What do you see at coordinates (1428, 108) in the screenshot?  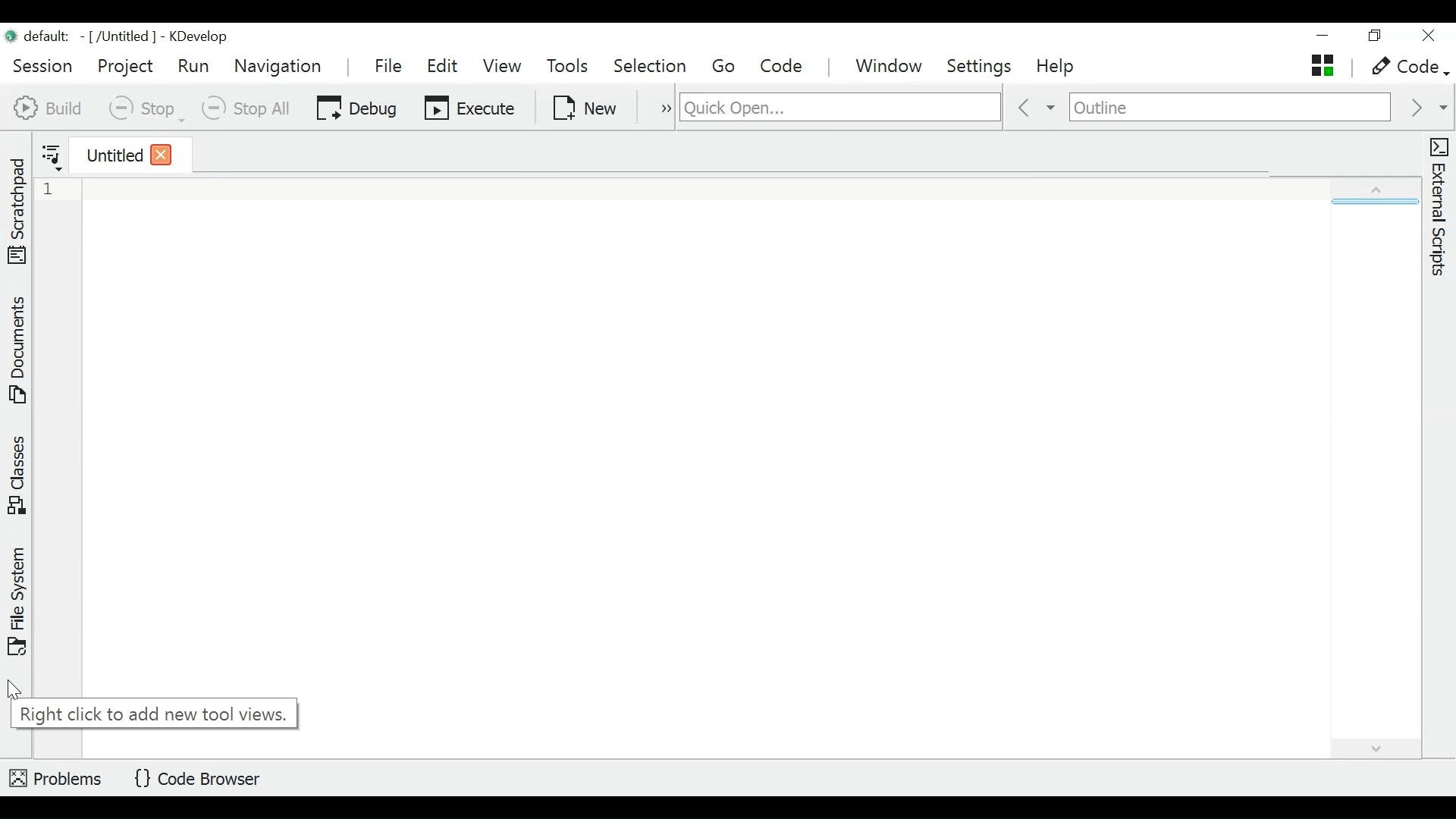 I see `next` at bounding box center [1428, 108].